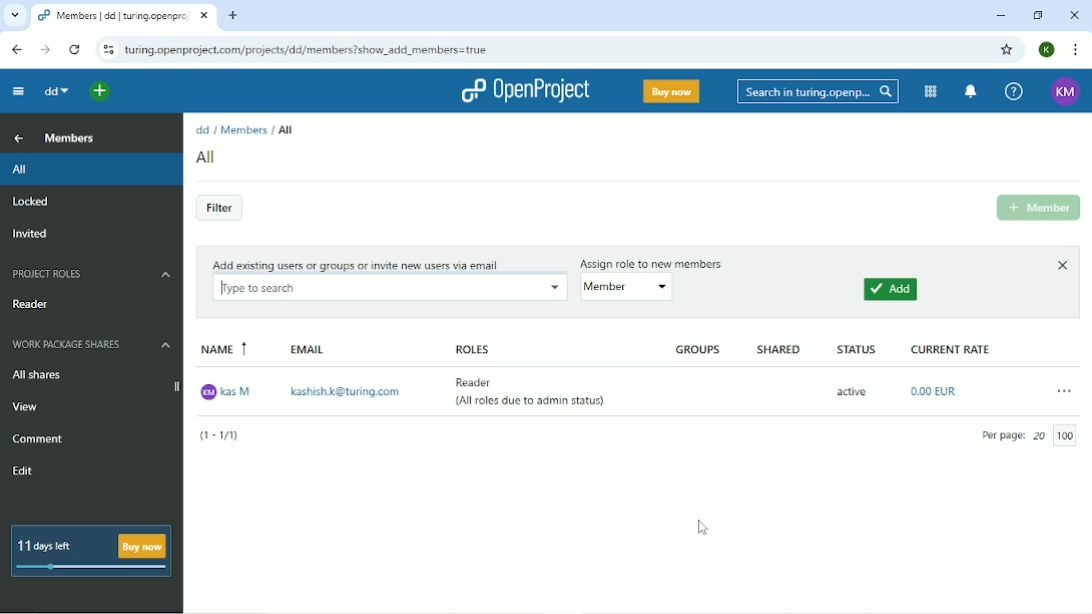  What do you see at coordinates (208, 157) in the screenshot?
I see `All` at bounding box center [208, 157].